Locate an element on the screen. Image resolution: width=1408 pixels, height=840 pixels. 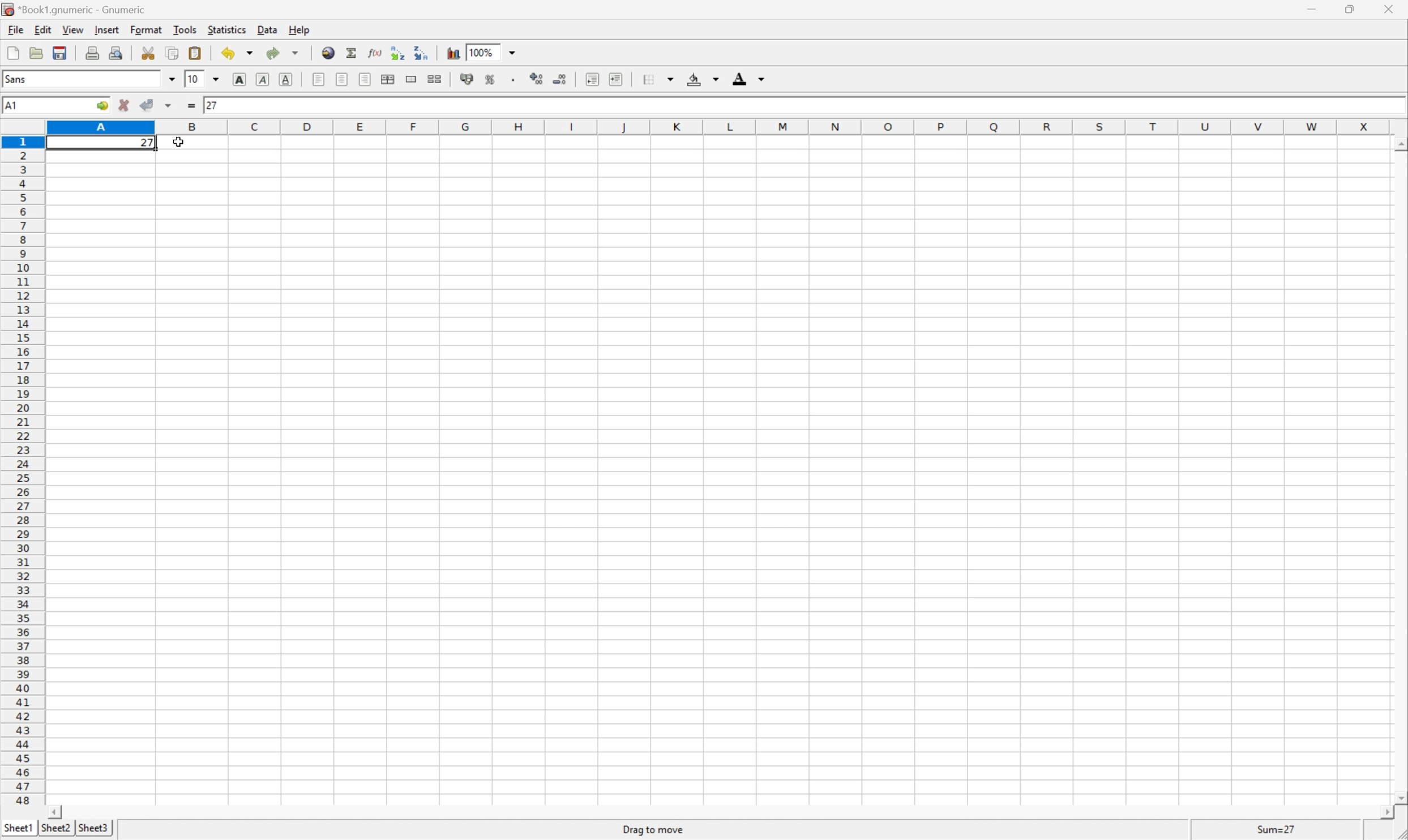
Enter formula is located at coordinates (194, 107).